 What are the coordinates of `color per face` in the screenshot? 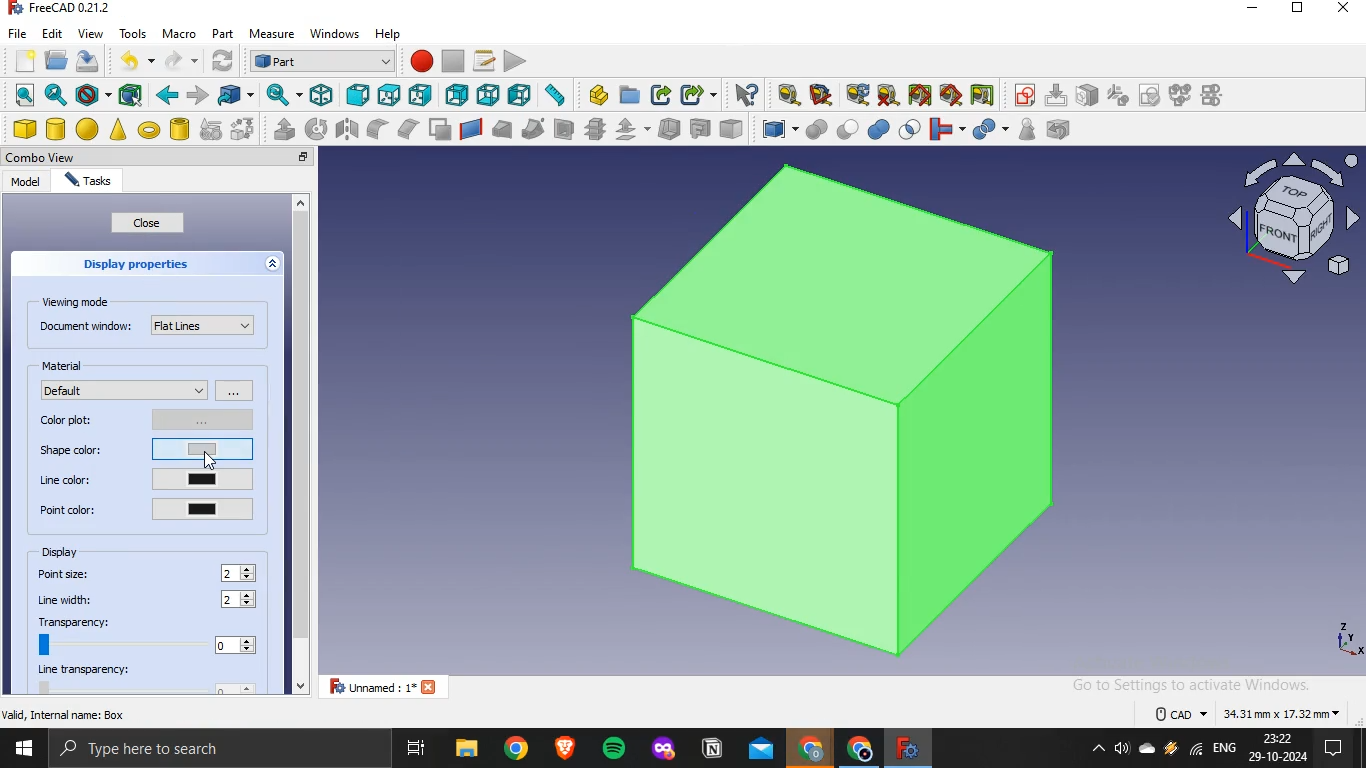 It's located at (731, 128).